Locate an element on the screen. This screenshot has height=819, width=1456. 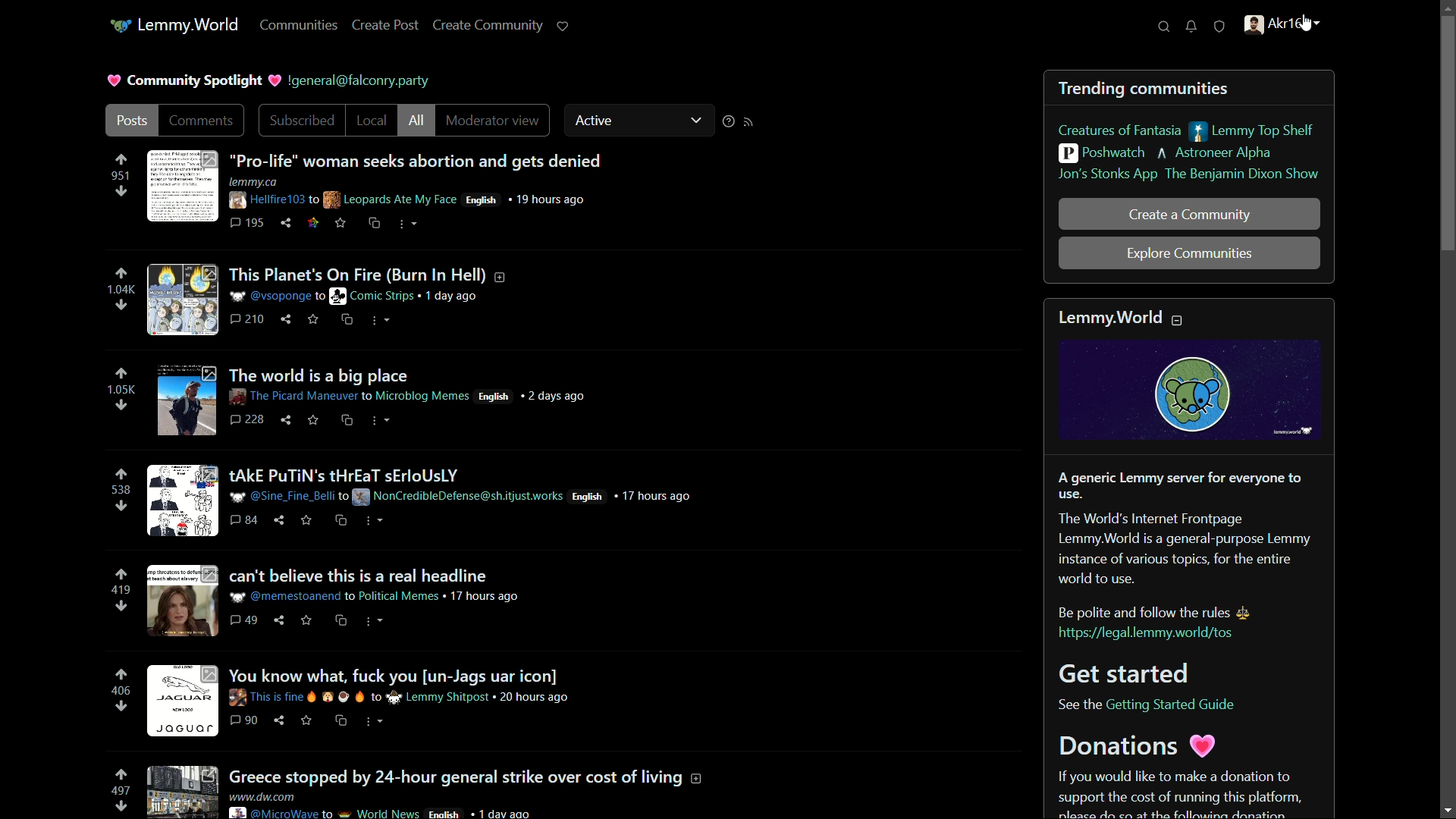
upvote is located at coordinates (121, 575).